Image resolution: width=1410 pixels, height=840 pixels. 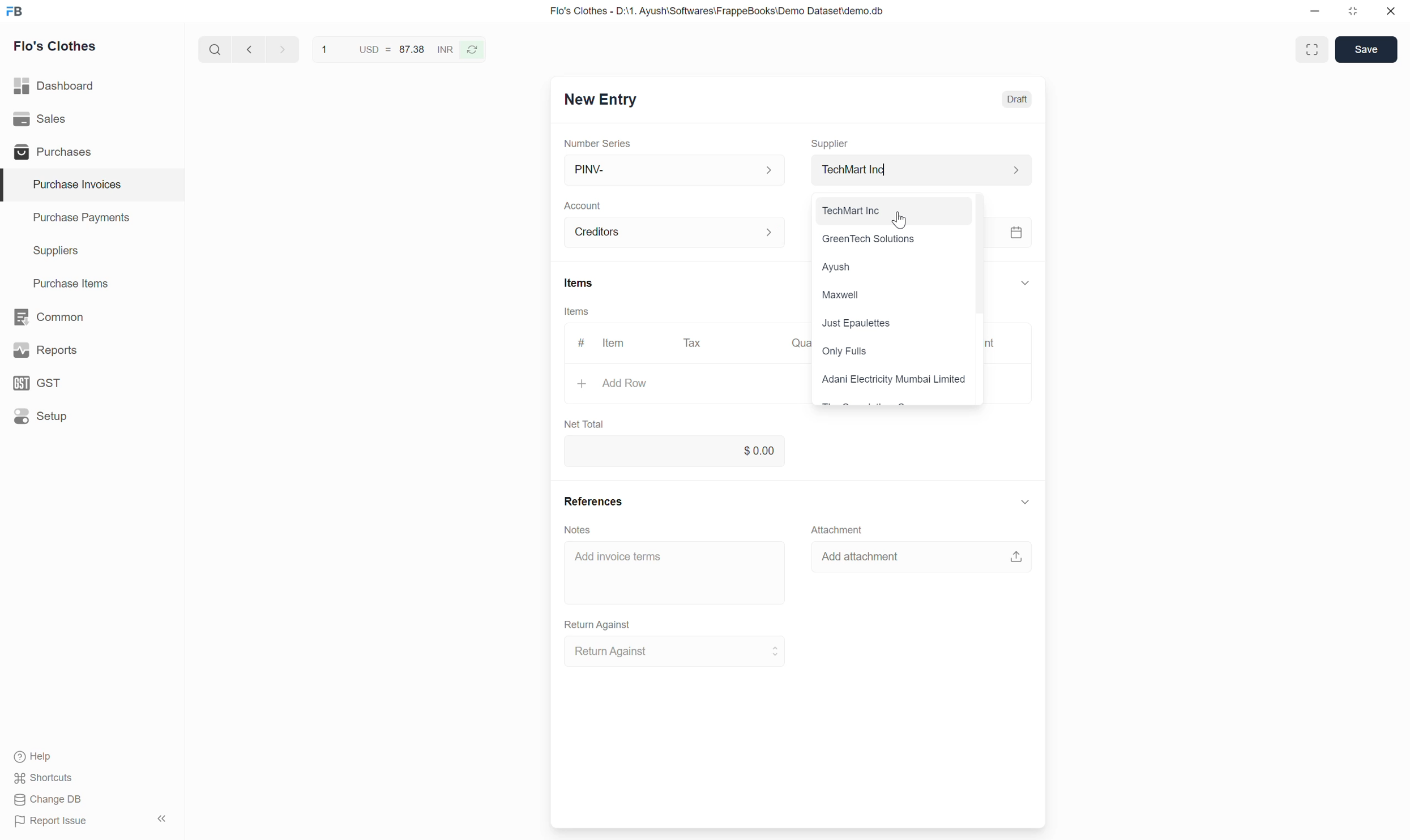 What do you see at coordinates (595, 141) in the screenshot?
I see `Number Series` at bounding box center [595, 141].